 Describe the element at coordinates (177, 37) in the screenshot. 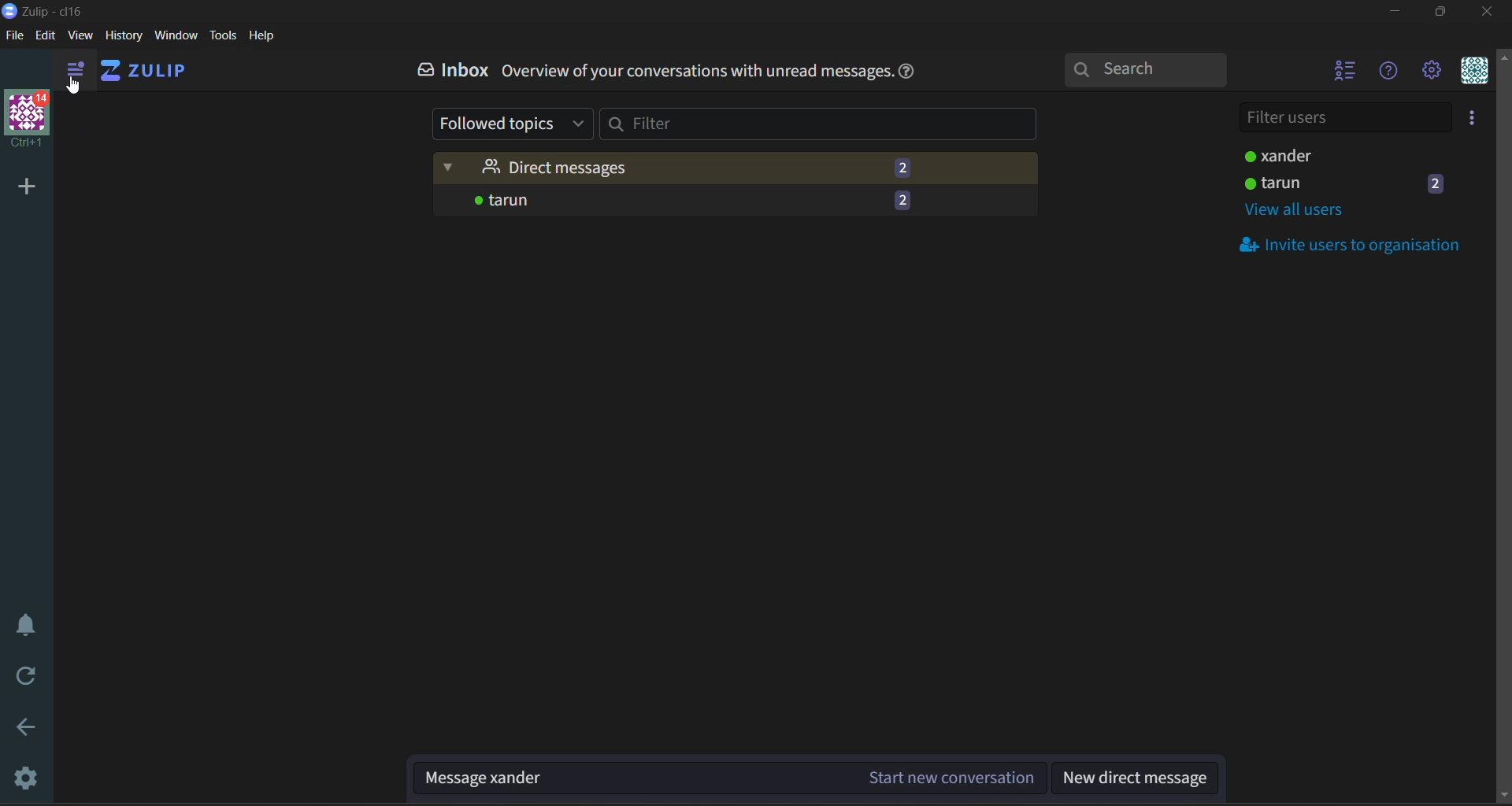

I see `window` at that location.